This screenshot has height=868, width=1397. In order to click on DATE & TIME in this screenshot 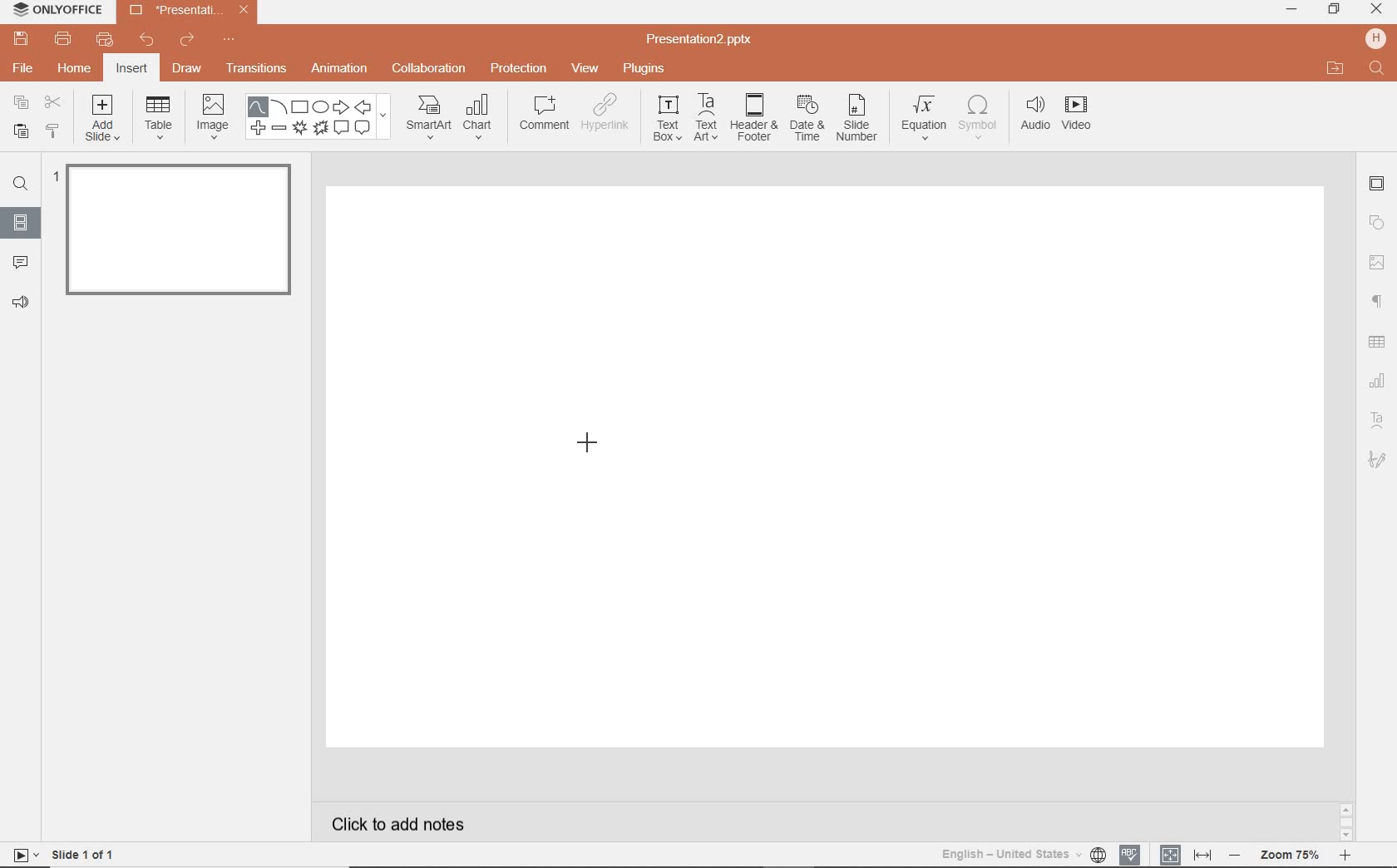, I will do `click(807, 121)`.